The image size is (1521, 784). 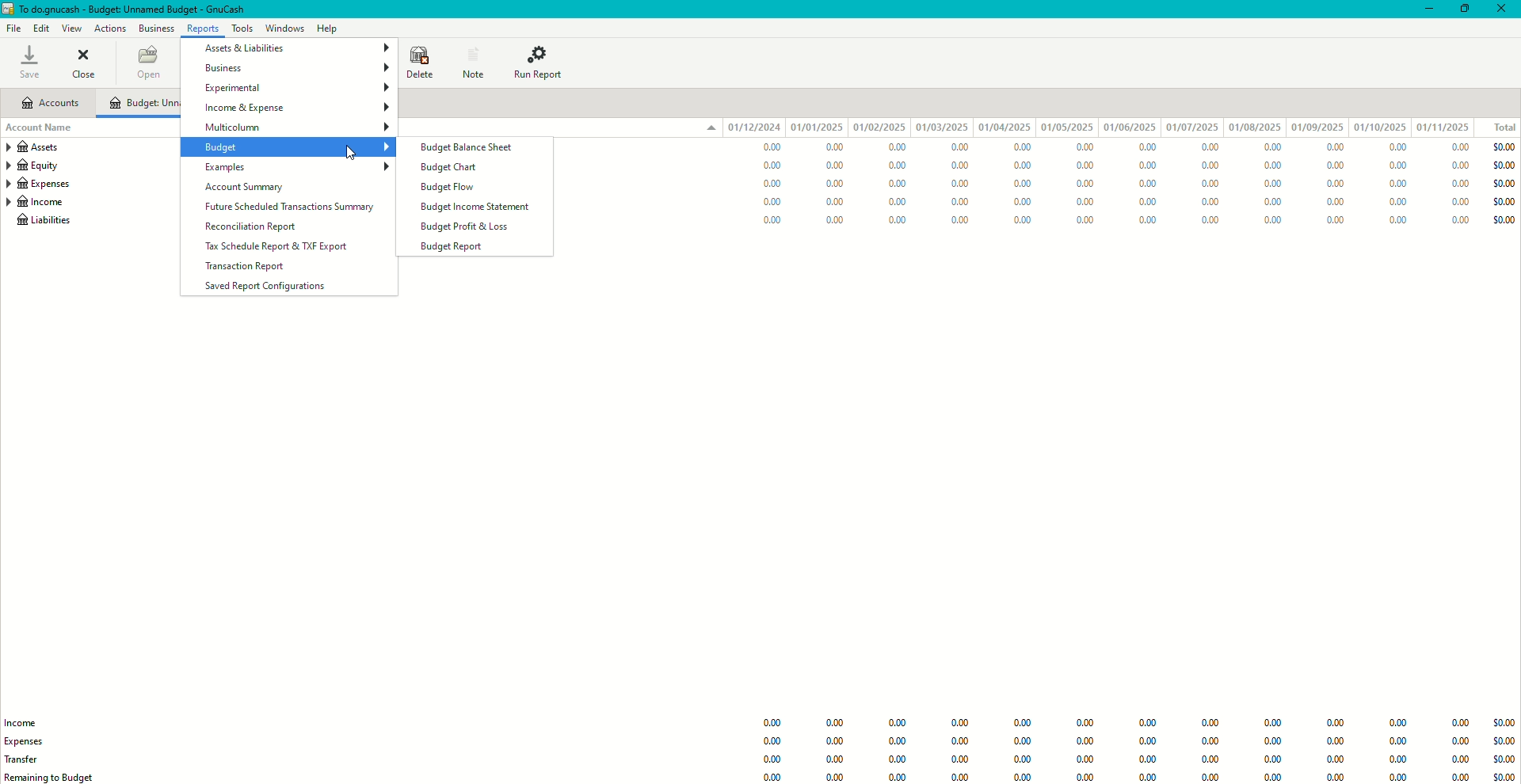 I want to click on 0.00, so click(x=1147, y=220).